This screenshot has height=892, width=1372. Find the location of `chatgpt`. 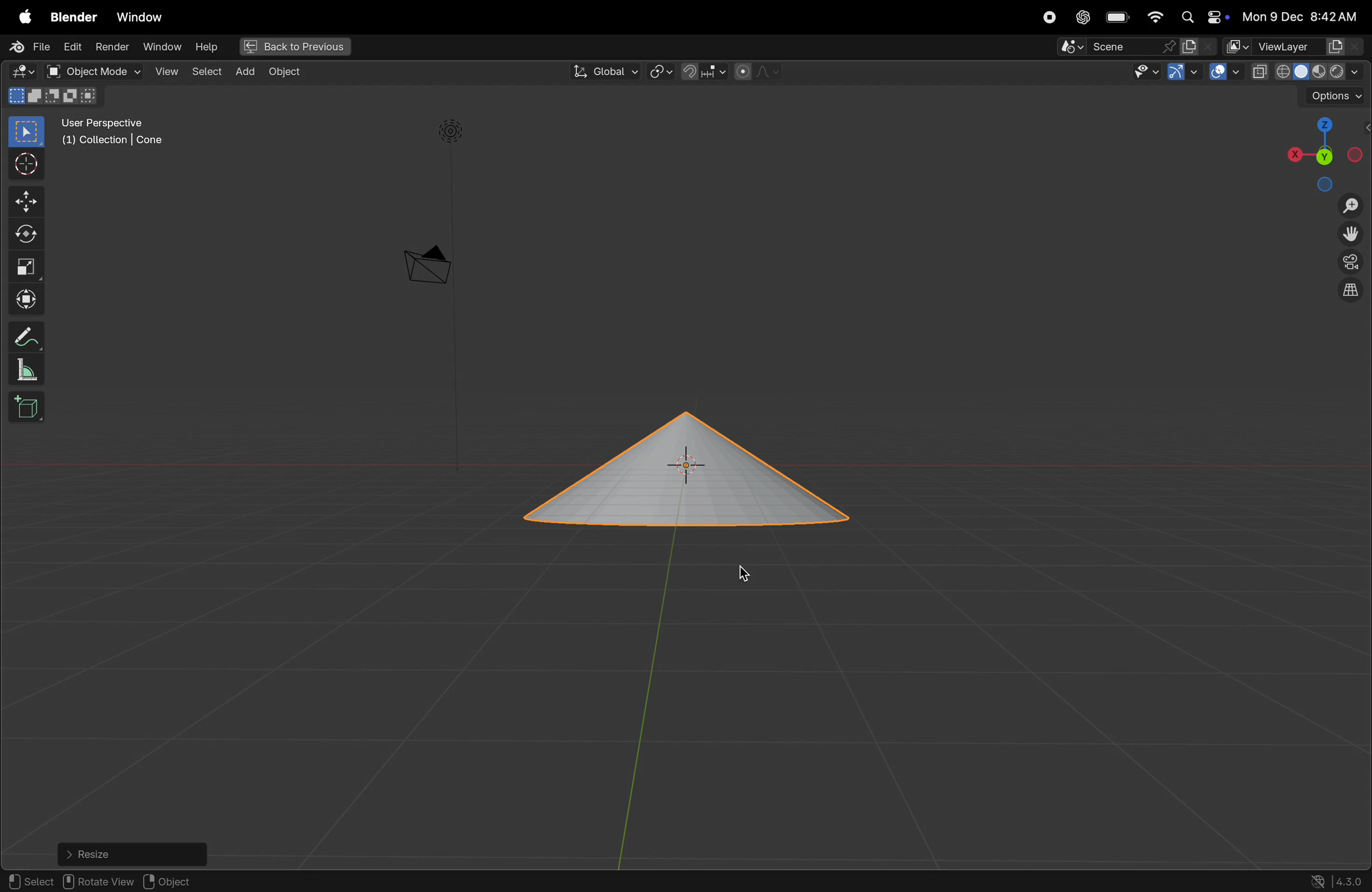

chatgpt is located at coordinates (1083, 17).